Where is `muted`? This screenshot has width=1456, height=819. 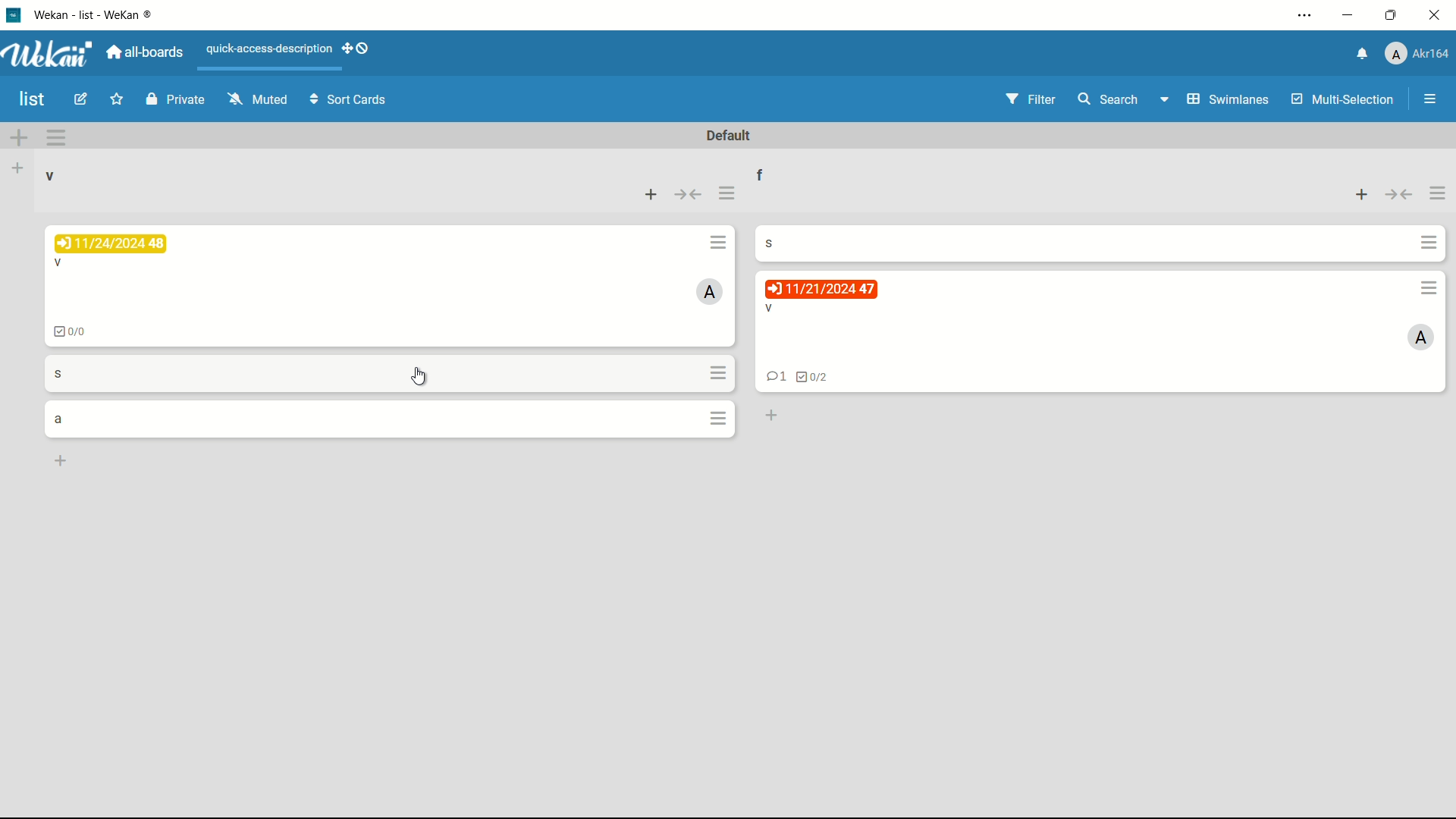
muted is located at coordinates (257, 99).